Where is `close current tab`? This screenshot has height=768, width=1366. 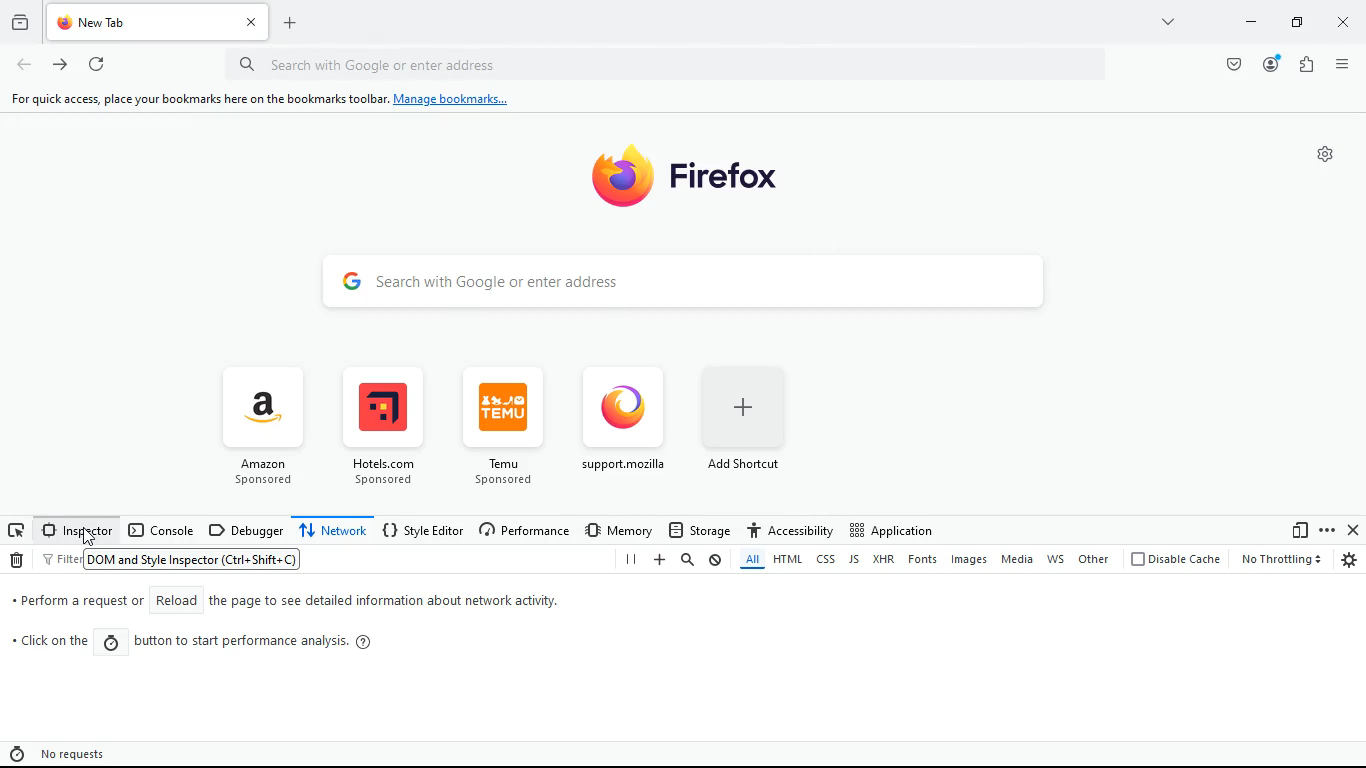 close current tab is located at coordinates (250, 22).